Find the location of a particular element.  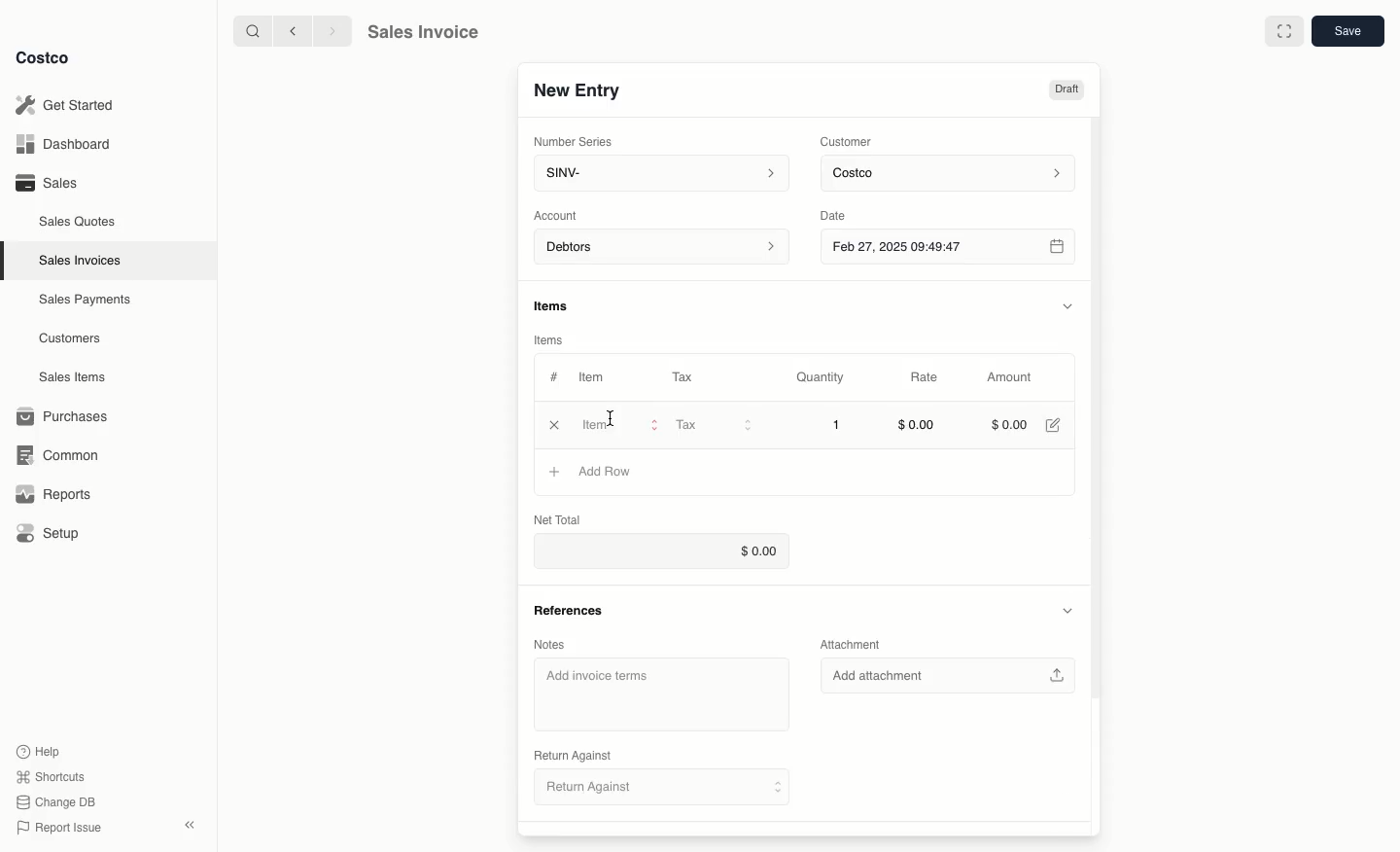

Attachment is located at coordinates (856, 647).